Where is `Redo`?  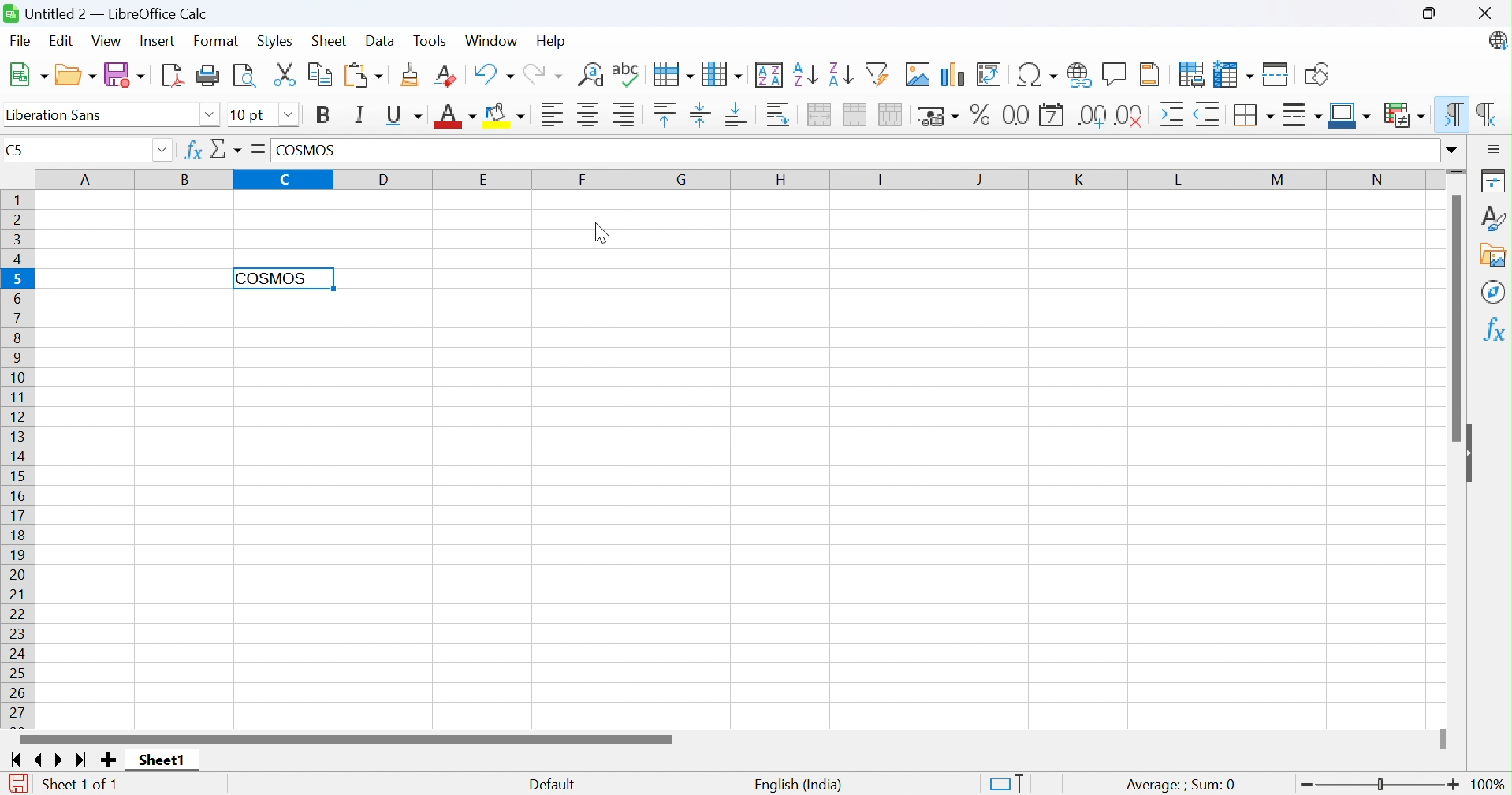
Redo is located at coordinates (543, 76).